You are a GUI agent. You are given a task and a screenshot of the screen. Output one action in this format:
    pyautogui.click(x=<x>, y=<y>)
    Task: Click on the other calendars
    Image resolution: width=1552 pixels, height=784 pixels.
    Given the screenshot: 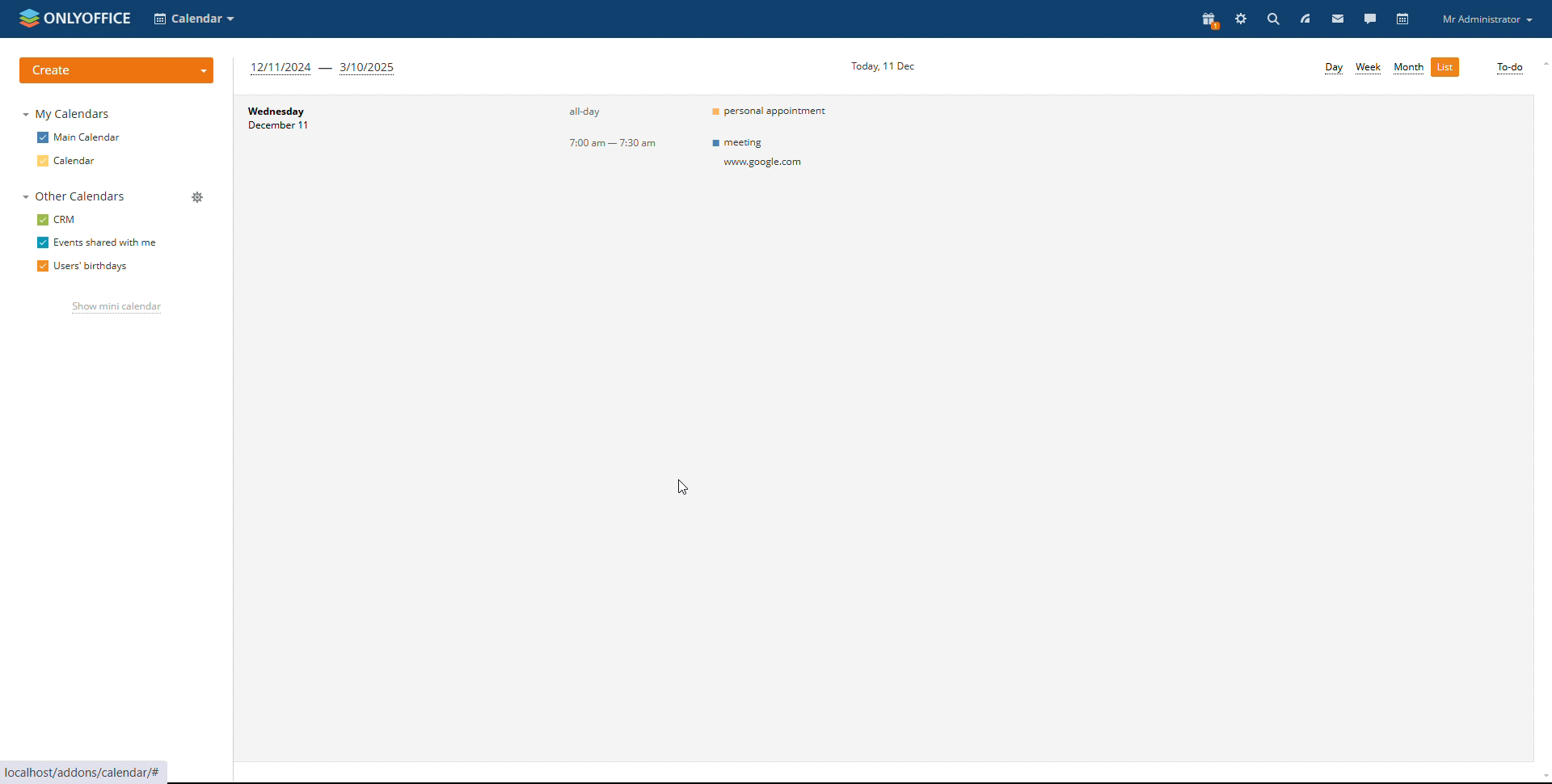 What is the action you would take?
    pyautogui.click(x=75, y=196)
    